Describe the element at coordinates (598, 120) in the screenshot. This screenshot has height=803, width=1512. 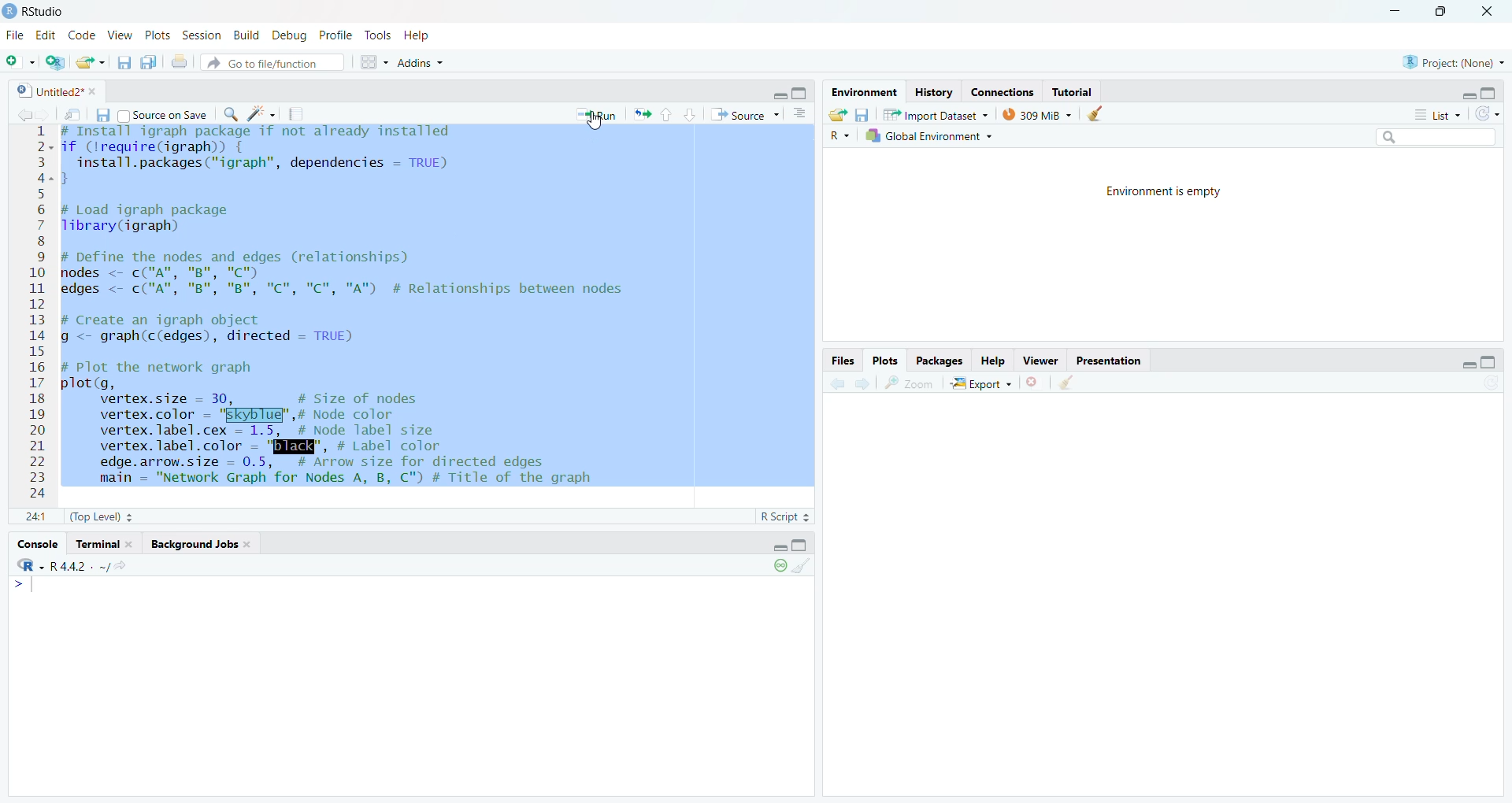
I see `cursor` at that location.